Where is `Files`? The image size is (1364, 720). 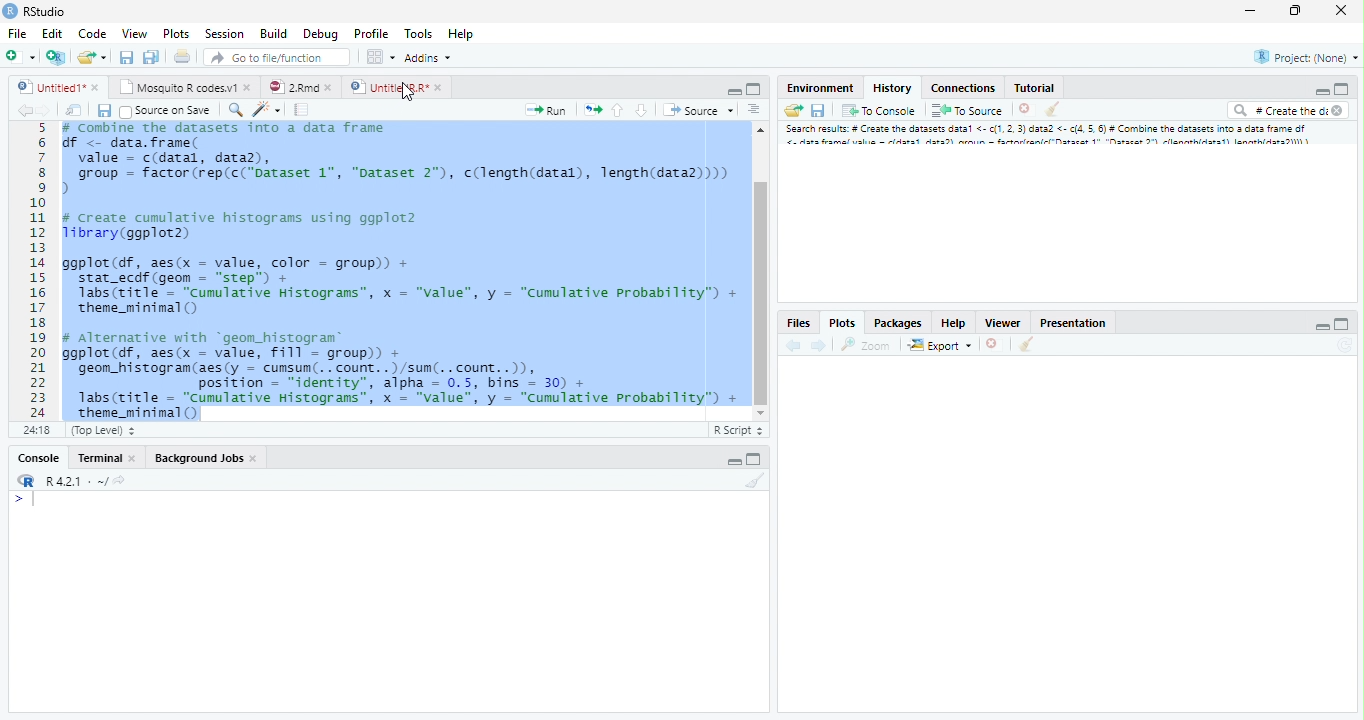 Files is located at coordinates (798, 321).